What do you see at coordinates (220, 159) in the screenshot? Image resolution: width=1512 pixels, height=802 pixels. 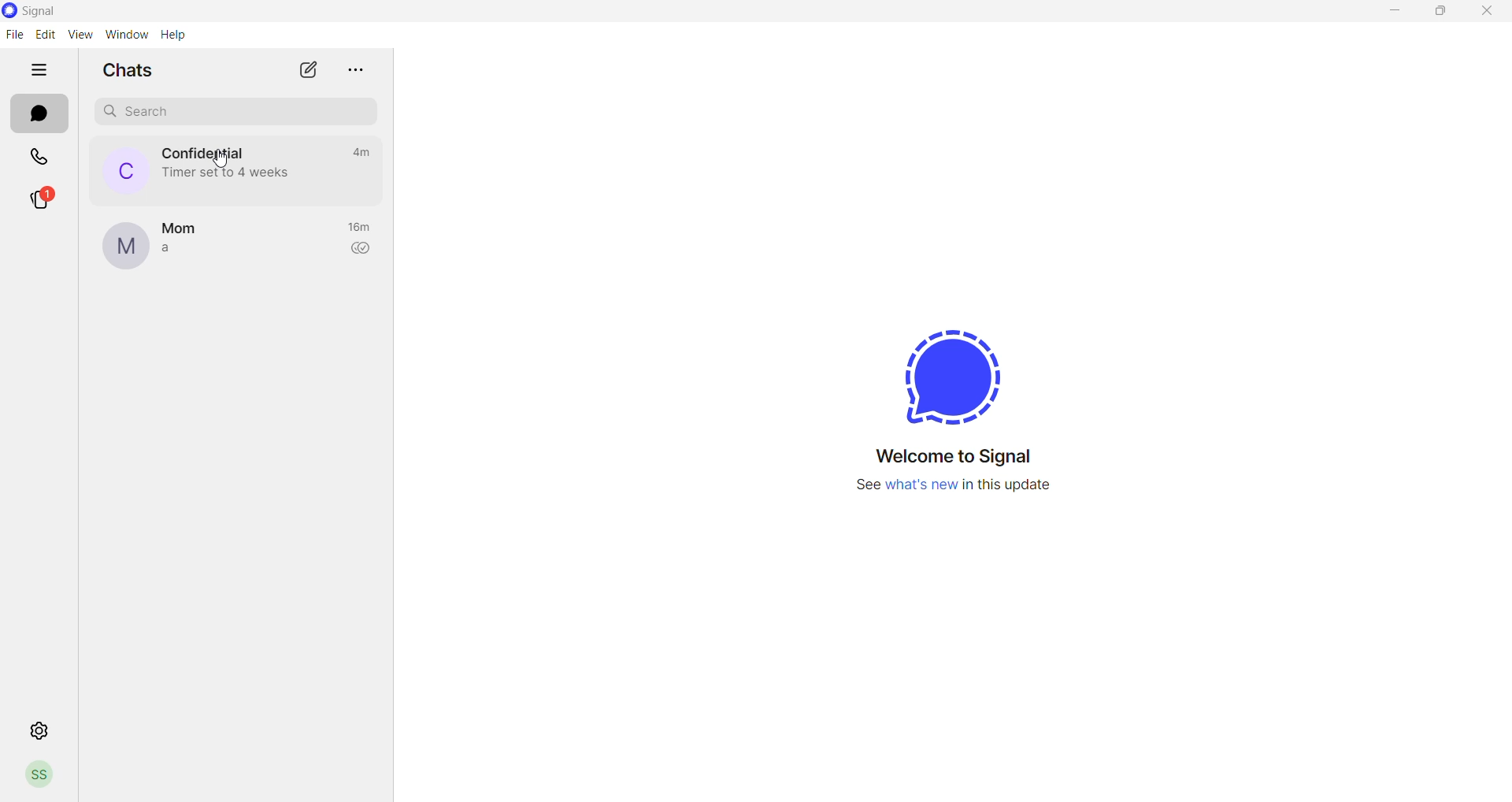 I see `cursor` at bounding box center [220, 159].